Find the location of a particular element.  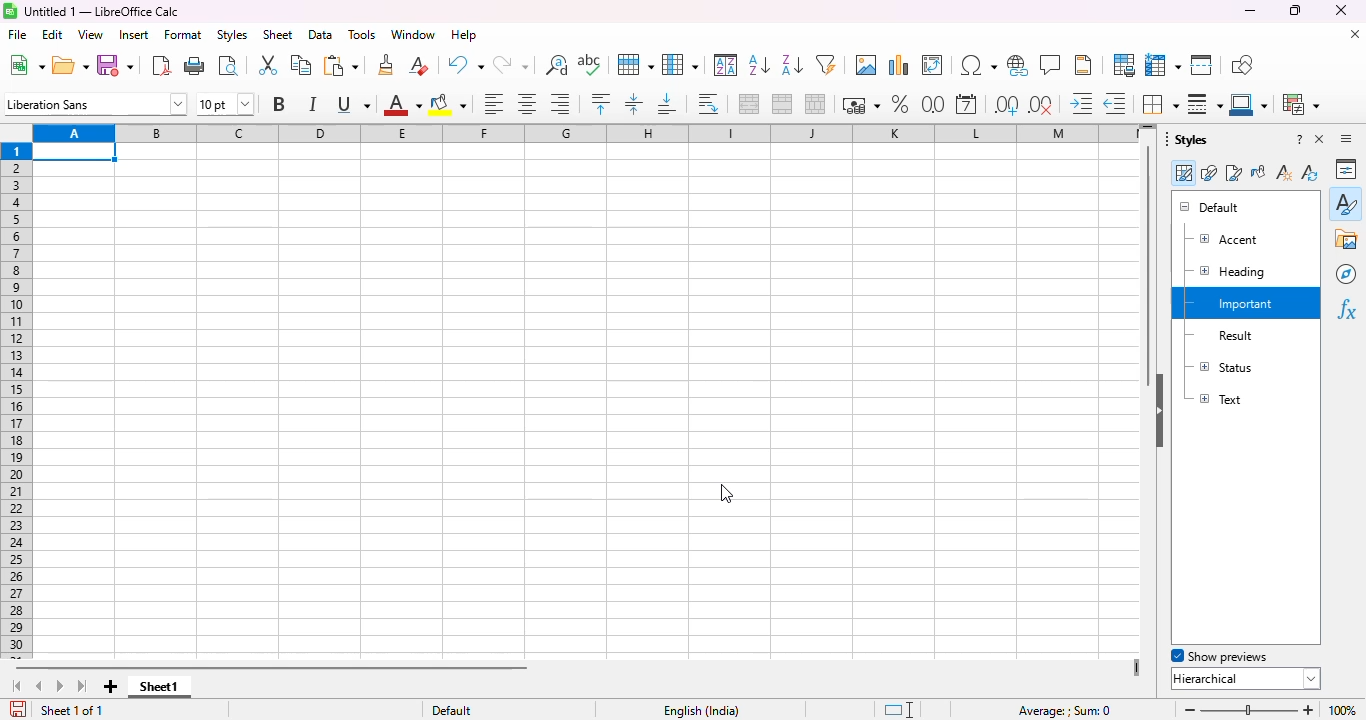

split window is located at coordinates (1202, 65).